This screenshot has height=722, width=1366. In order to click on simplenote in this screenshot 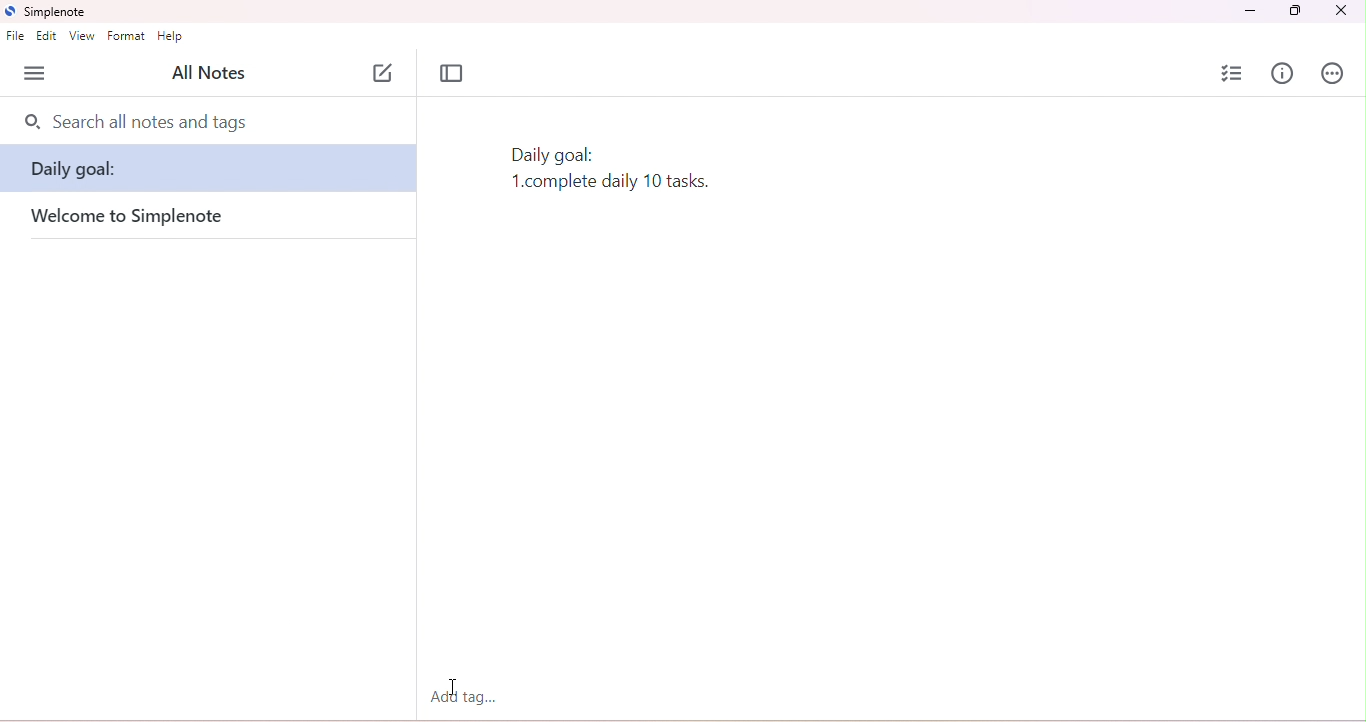, I will do `click(49, 12)`.